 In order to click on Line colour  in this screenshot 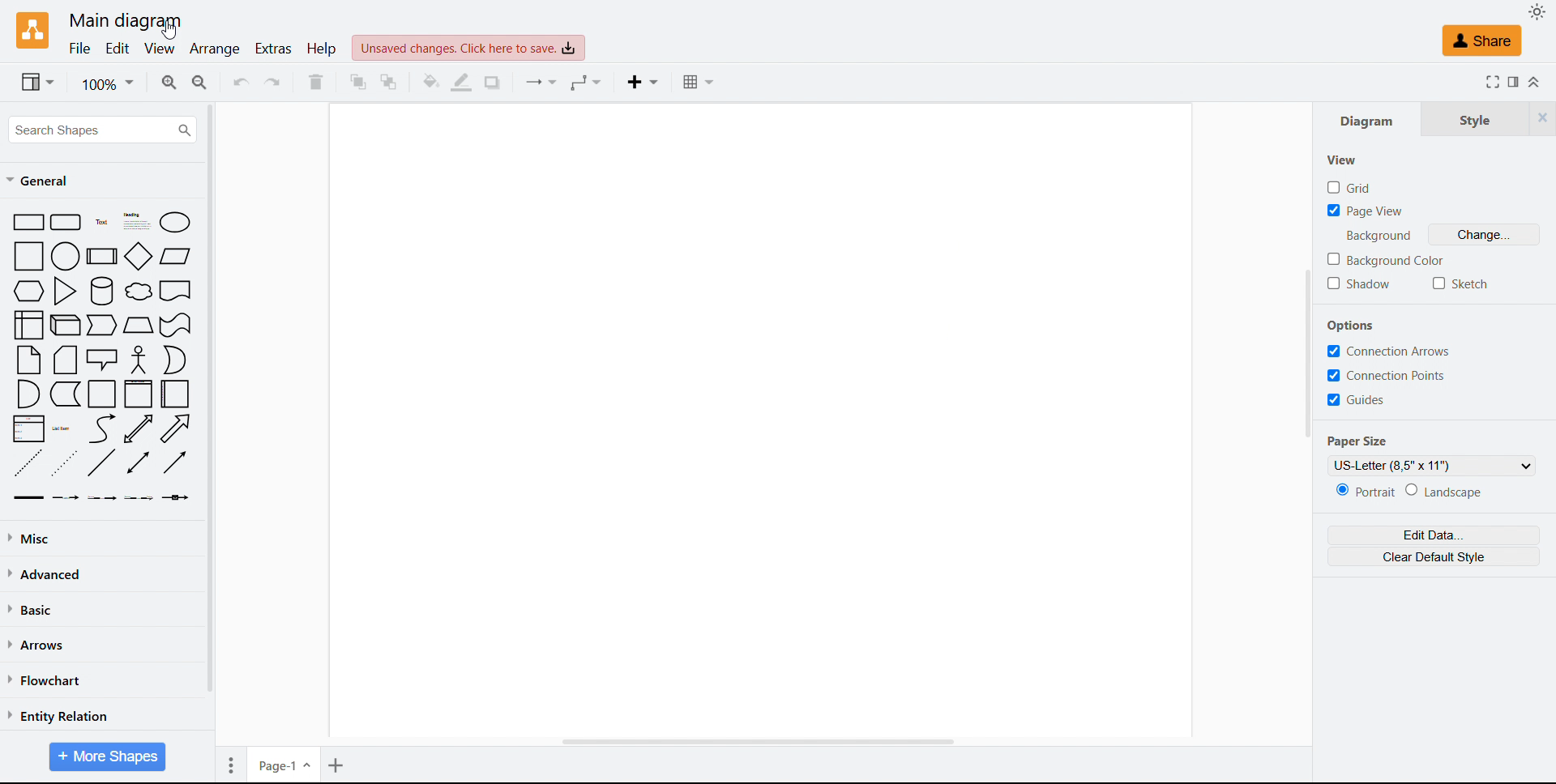, I will do `click(463, 83)`.